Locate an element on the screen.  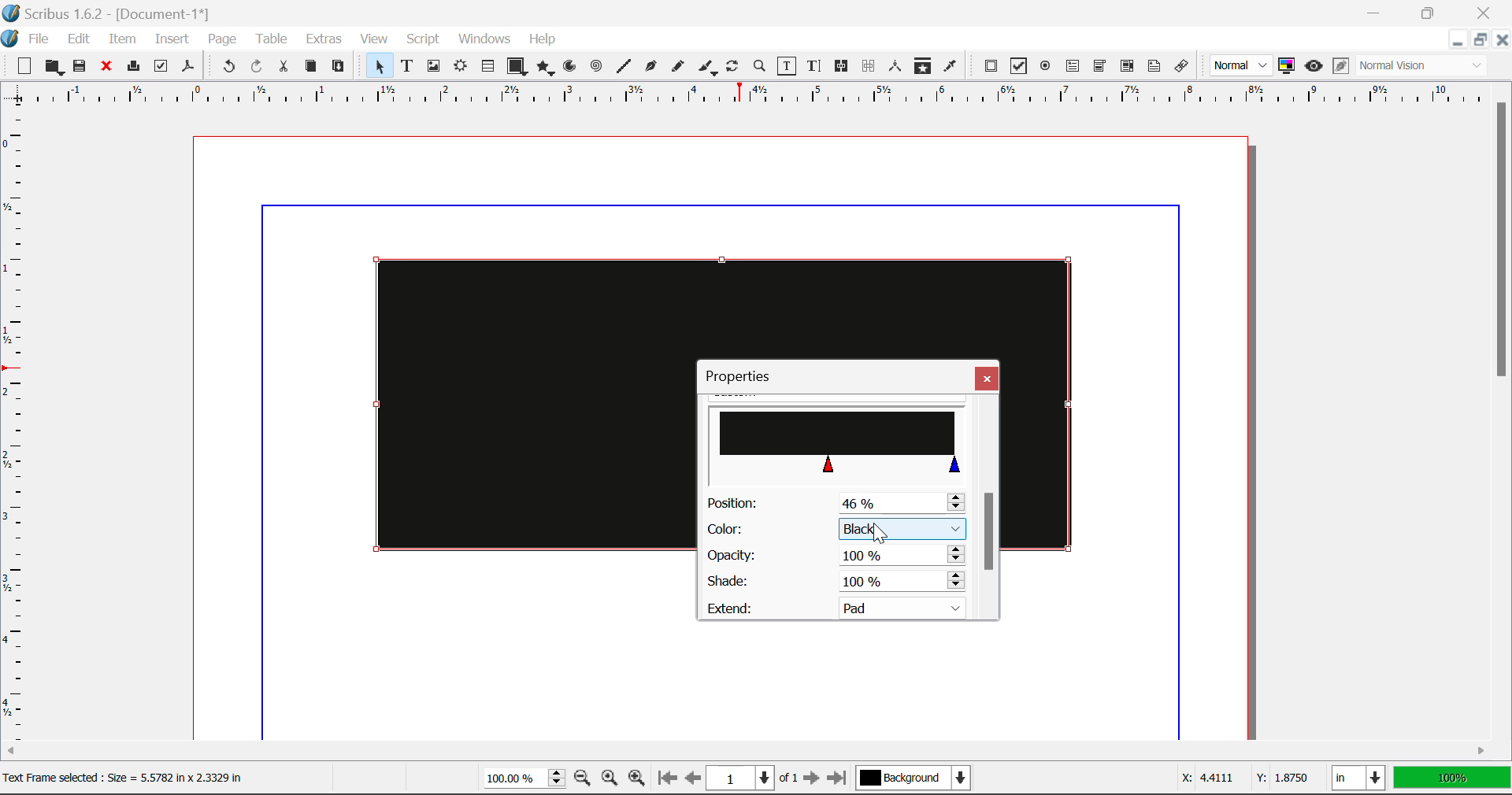
Edit Contents of Frame is located at coordinates (787, 68).